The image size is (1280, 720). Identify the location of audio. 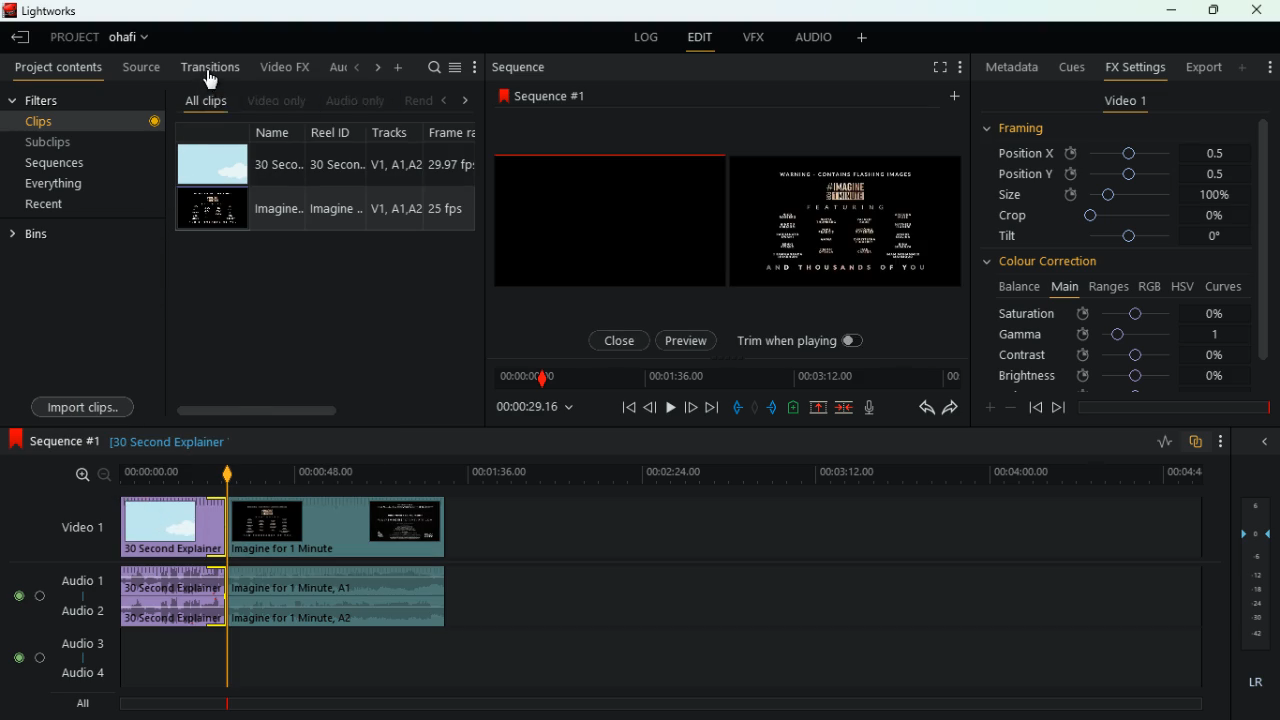
(813, 38).